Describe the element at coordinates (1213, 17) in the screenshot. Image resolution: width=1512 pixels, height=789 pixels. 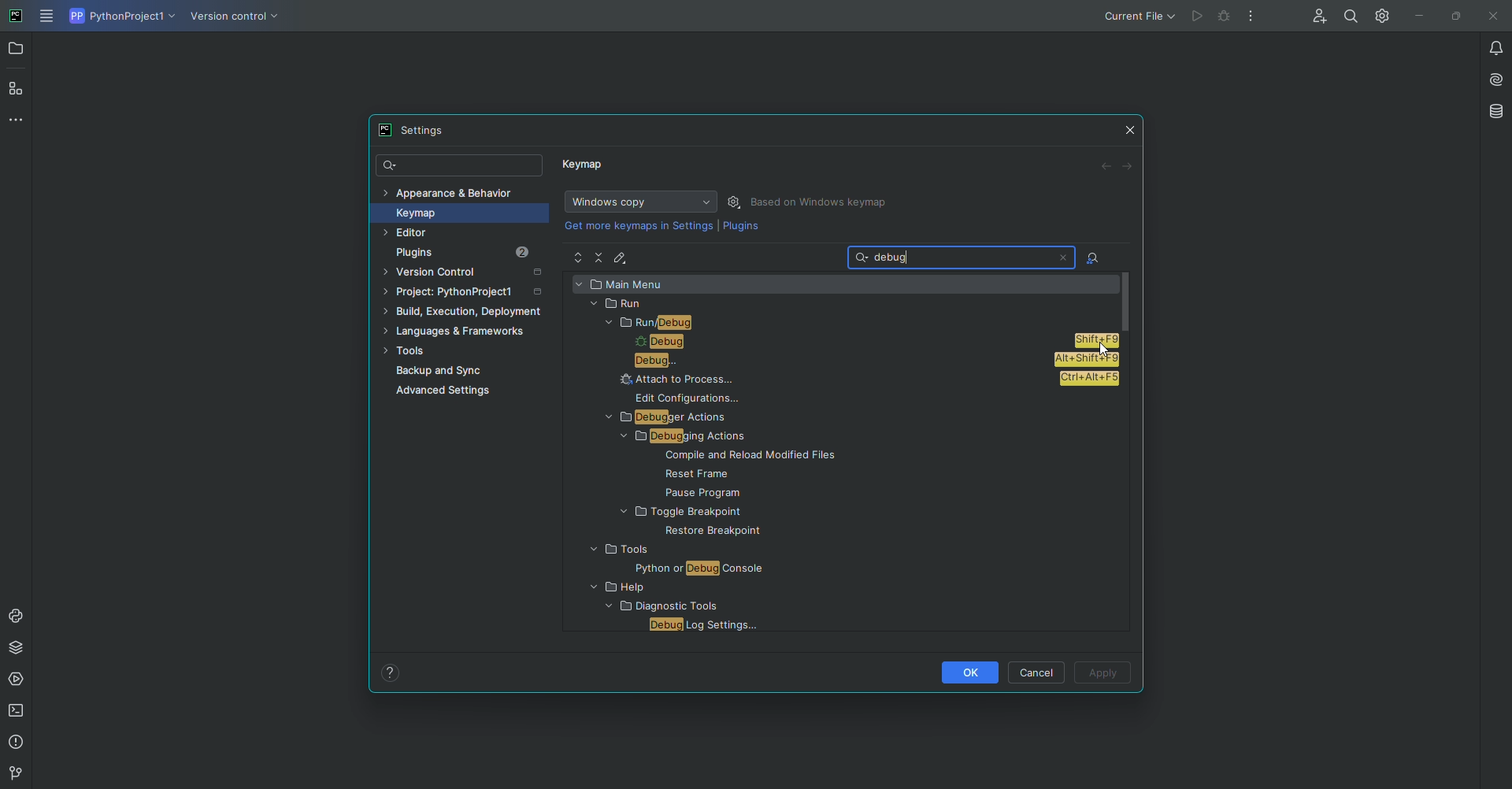
I see `Cannot run the file` at that location.